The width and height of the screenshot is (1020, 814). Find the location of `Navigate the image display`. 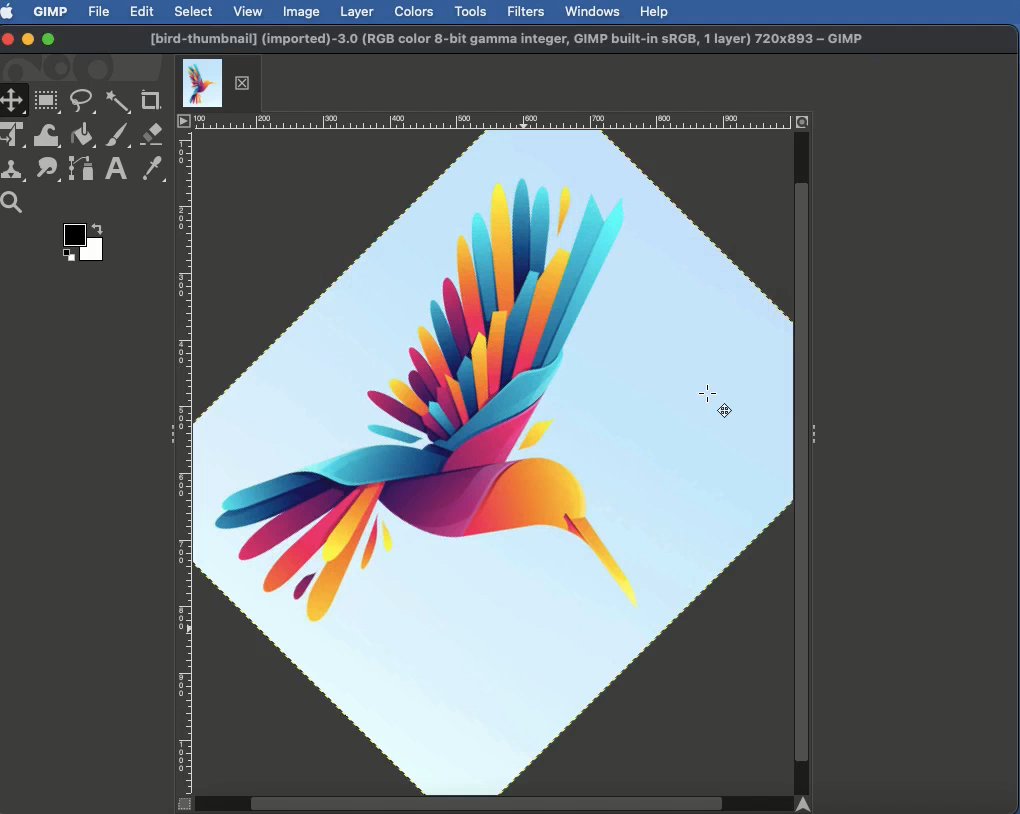

Navigate the image display is located at coordinates (809, 804).